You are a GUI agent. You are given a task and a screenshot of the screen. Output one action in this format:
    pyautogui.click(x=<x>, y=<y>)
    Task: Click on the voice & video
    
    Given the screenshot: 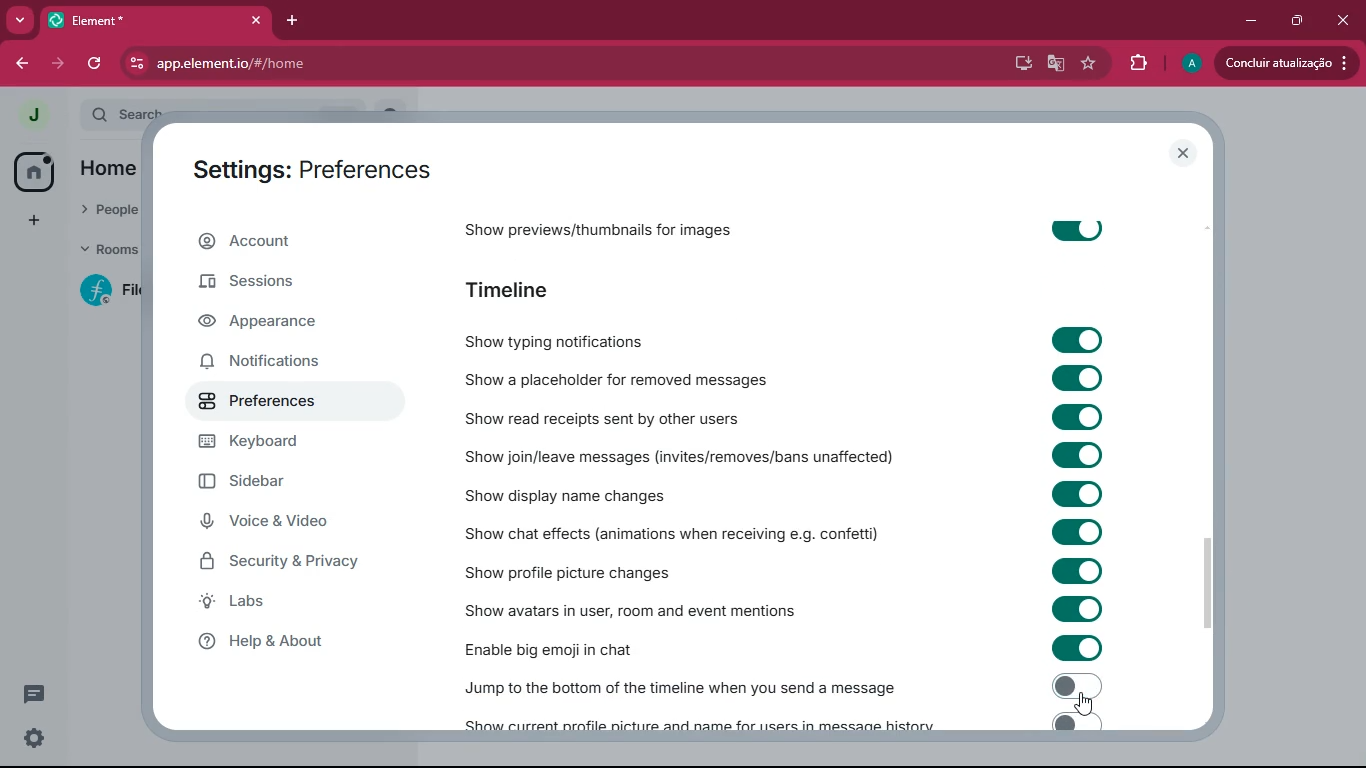 What is the action you would take?
    pyautogui.click(x=283, y=525)
    